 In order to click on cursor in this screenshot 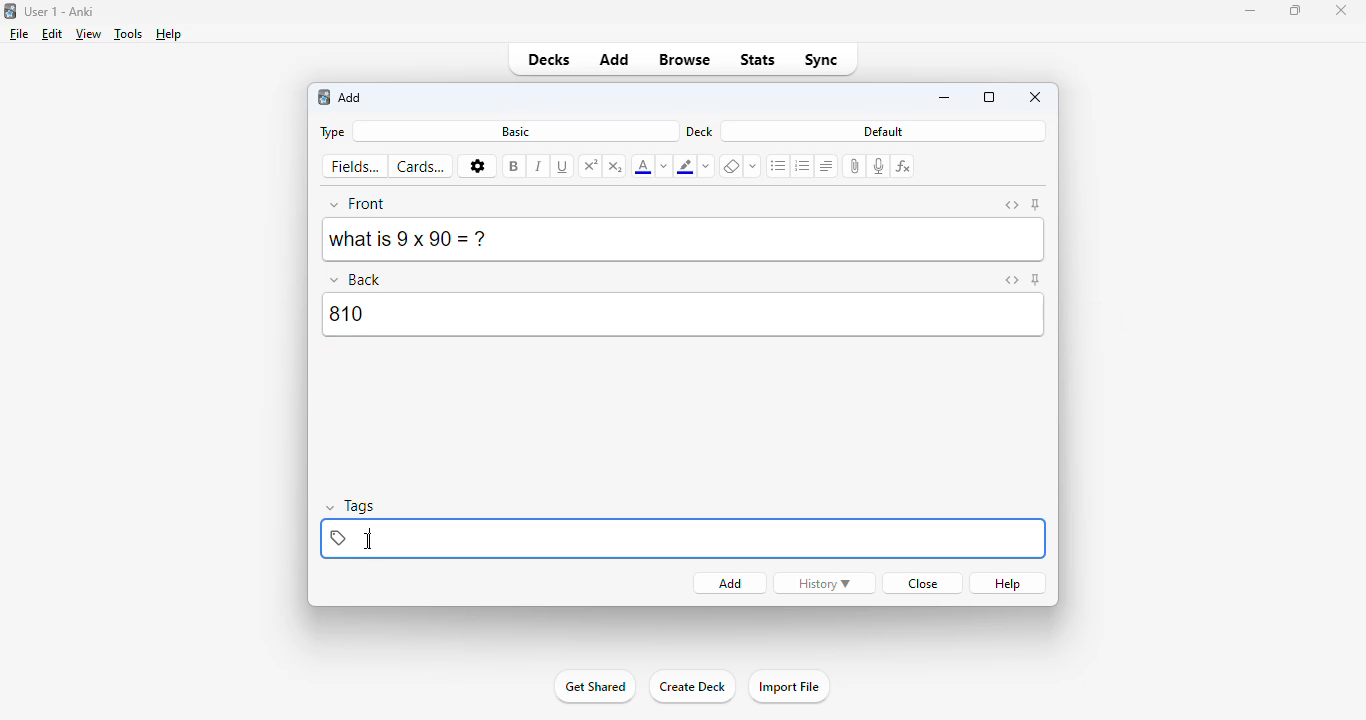, I will do `click(371, 540)`.